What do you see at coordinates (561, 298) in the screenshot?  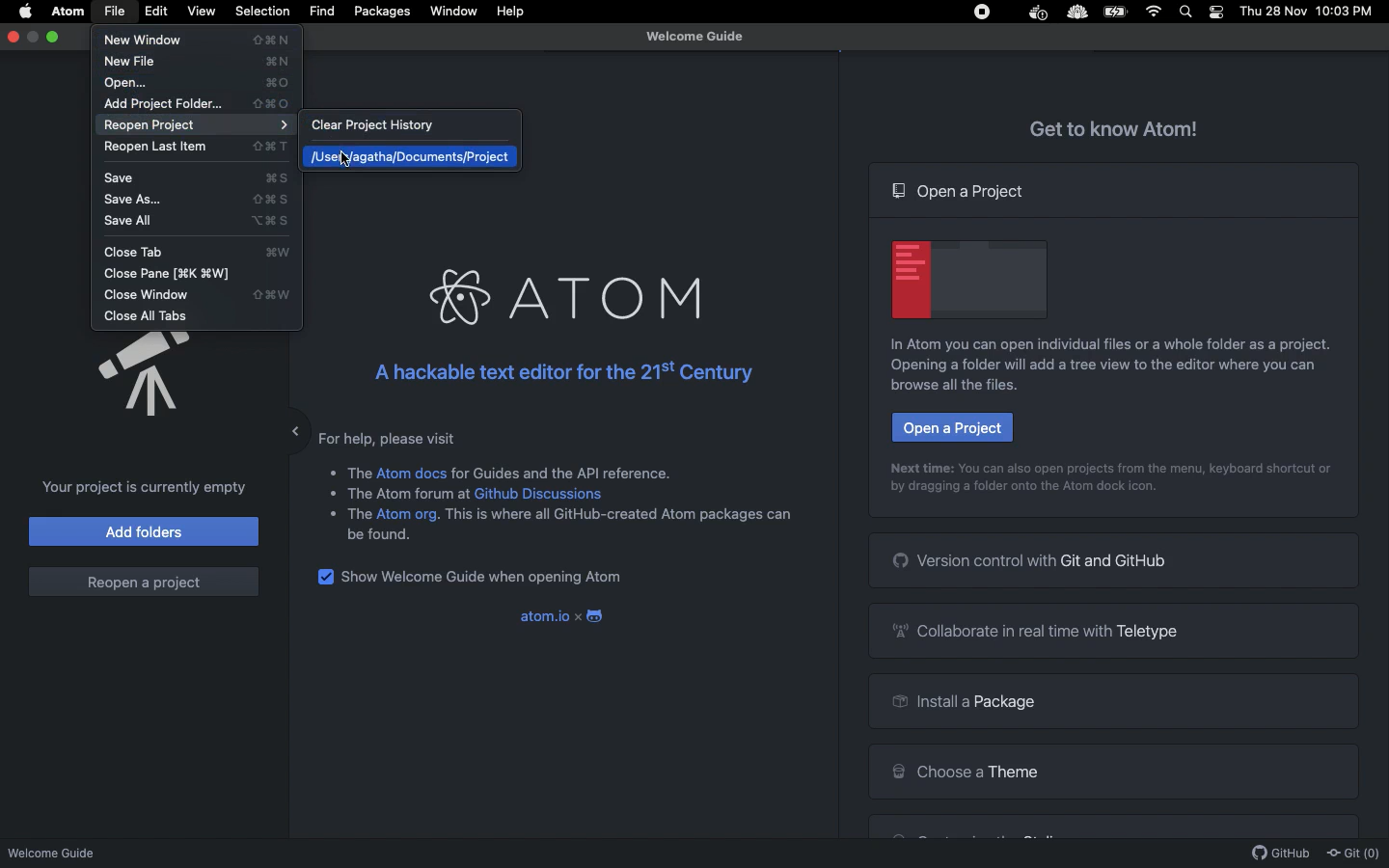 I see `Atom` at bounding box center [561, 298].